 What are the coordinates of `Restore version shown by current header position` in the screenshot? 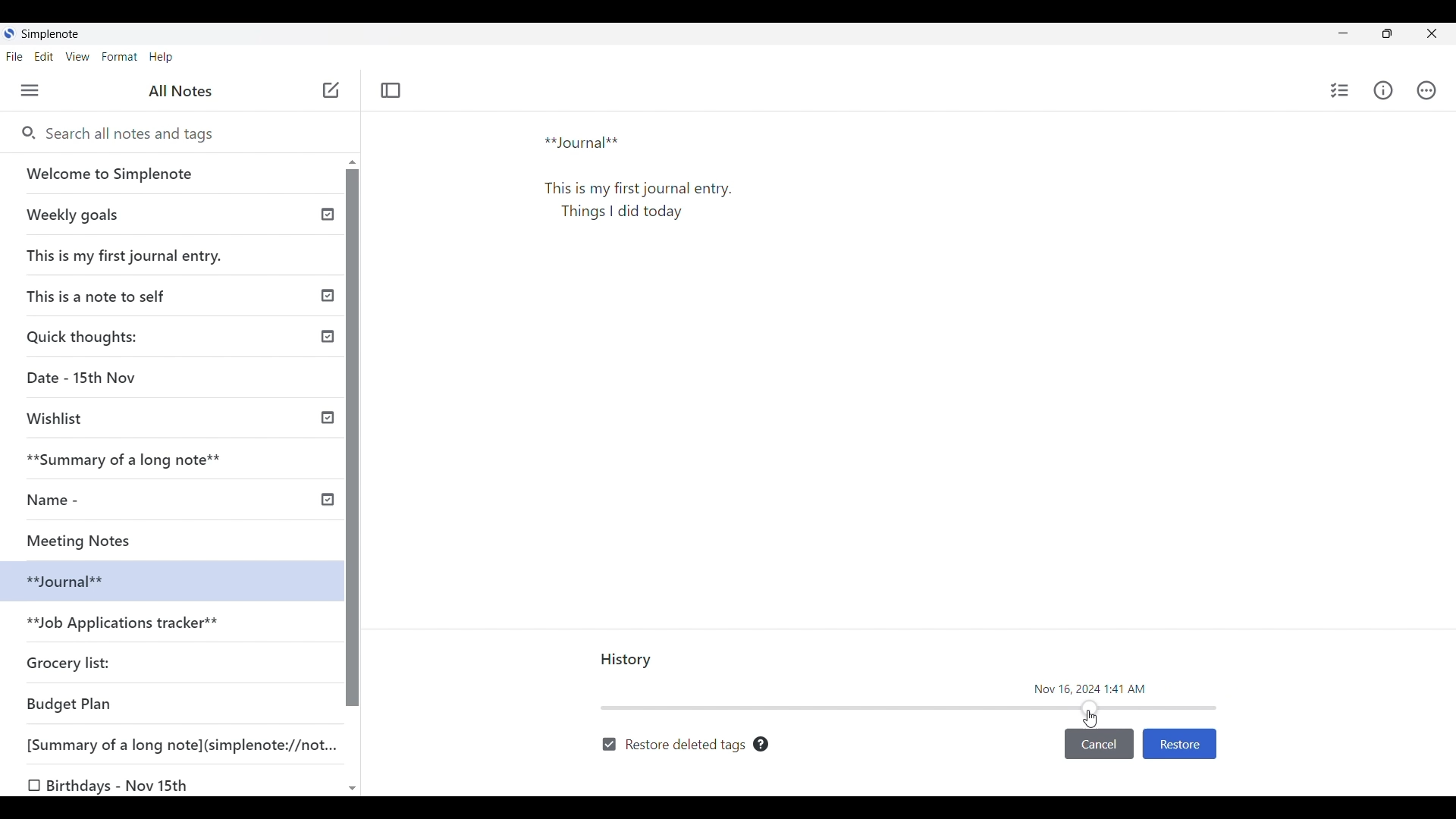 It's located at (1179, 745).